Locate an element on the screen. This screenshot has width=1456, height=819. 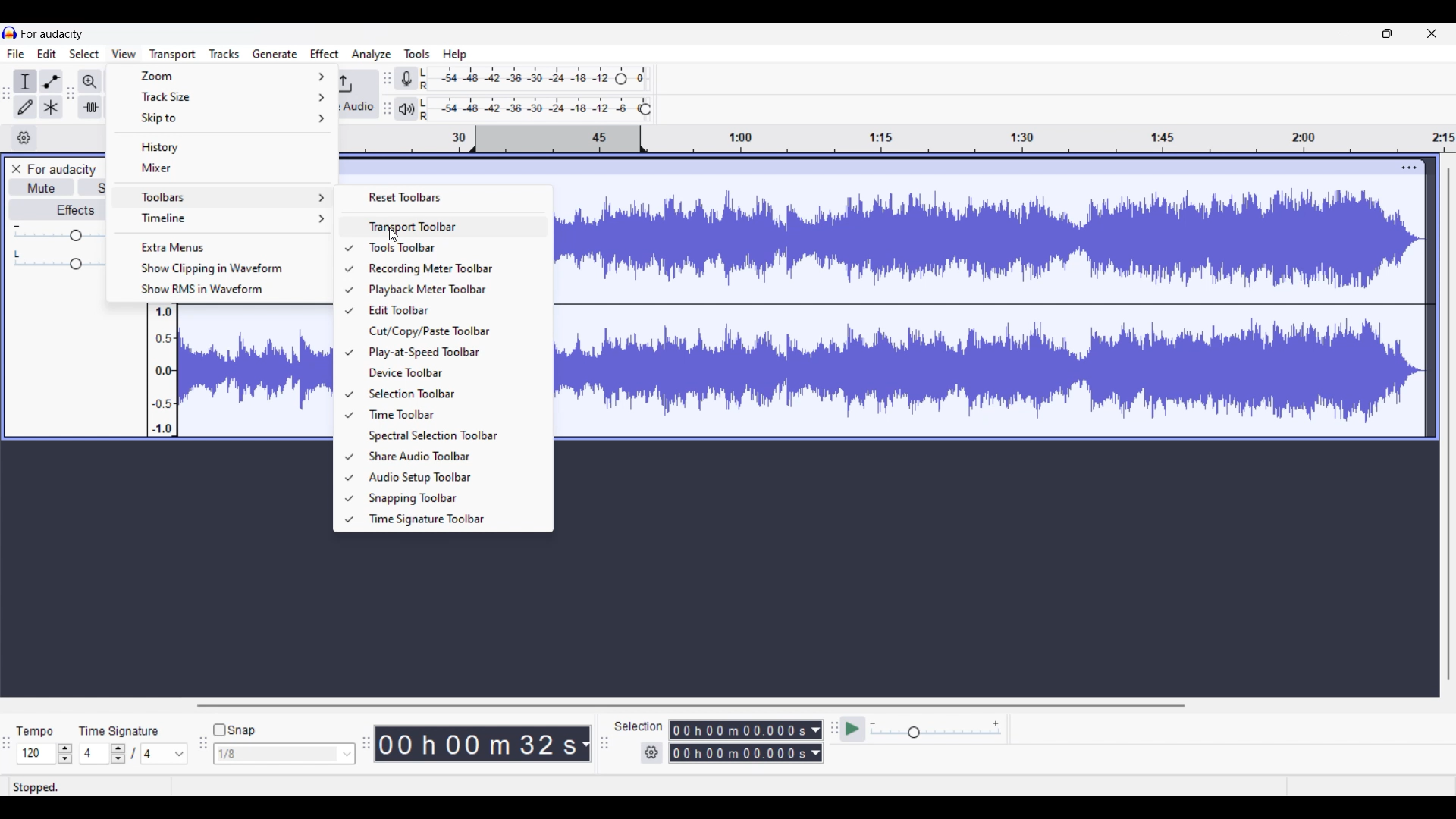
Increase/Decrease number is located at coordinates (118, 754).